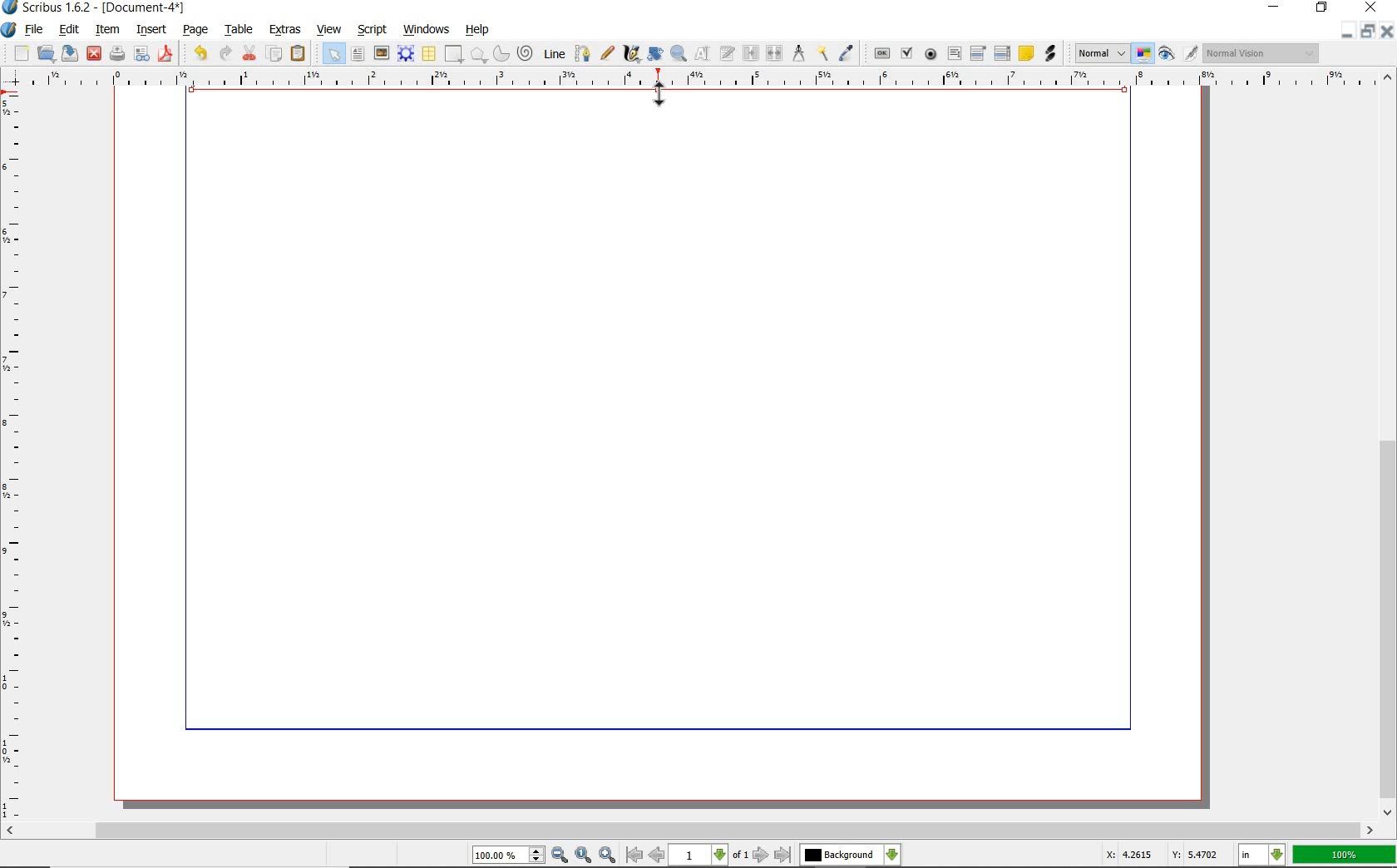 Image resolution: width=1397 pixels, height=868 pixels. What do you see at coordinates (329, 30) in the screenshot?
I see `view` at bounding box center [329, 30].